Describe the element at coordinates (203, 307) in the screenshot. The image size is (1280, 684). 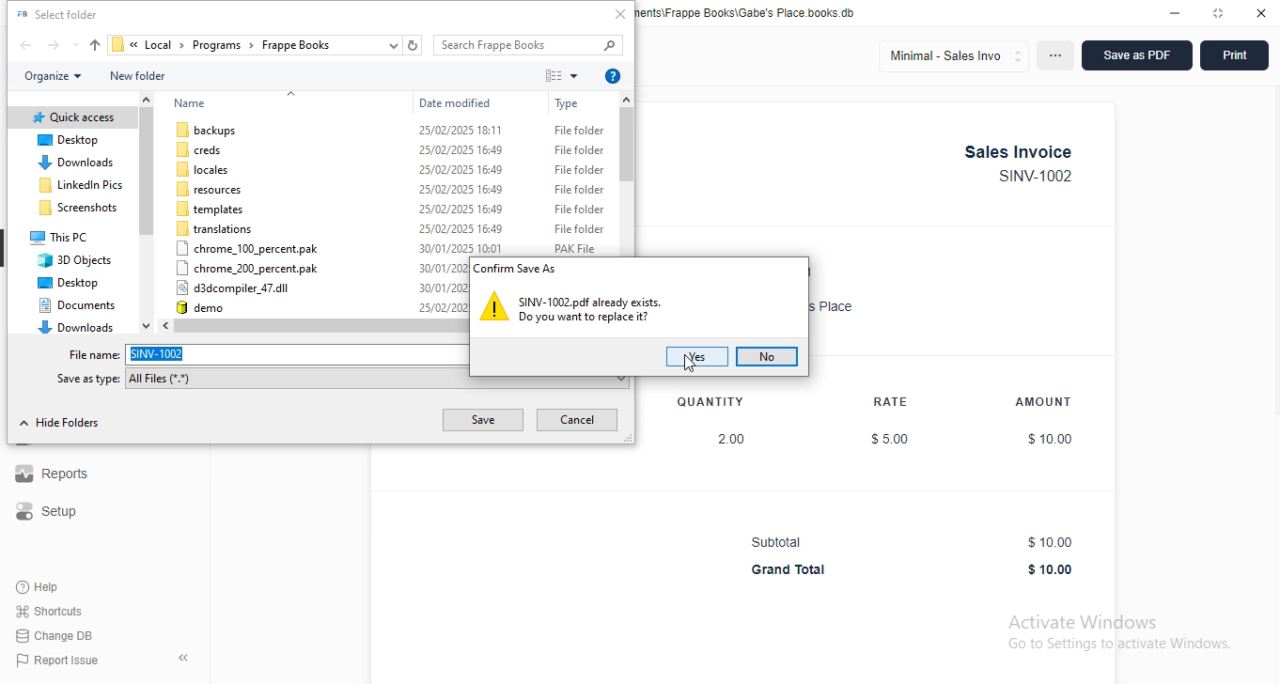
I see `demo` at that location.